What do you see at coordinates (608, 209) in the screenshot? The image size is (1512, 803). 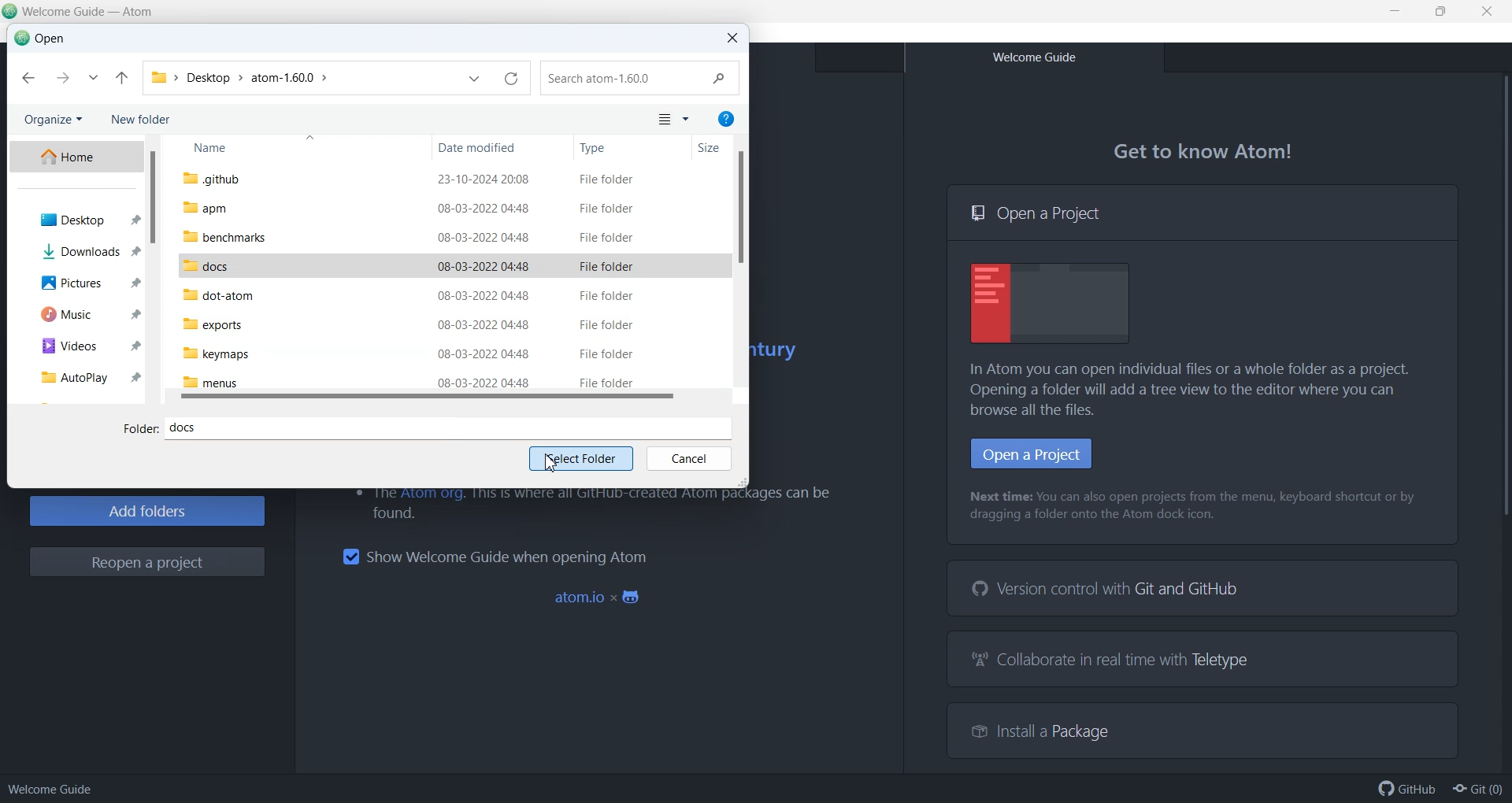 I see `File Folder` at bounding box center [608, 209].